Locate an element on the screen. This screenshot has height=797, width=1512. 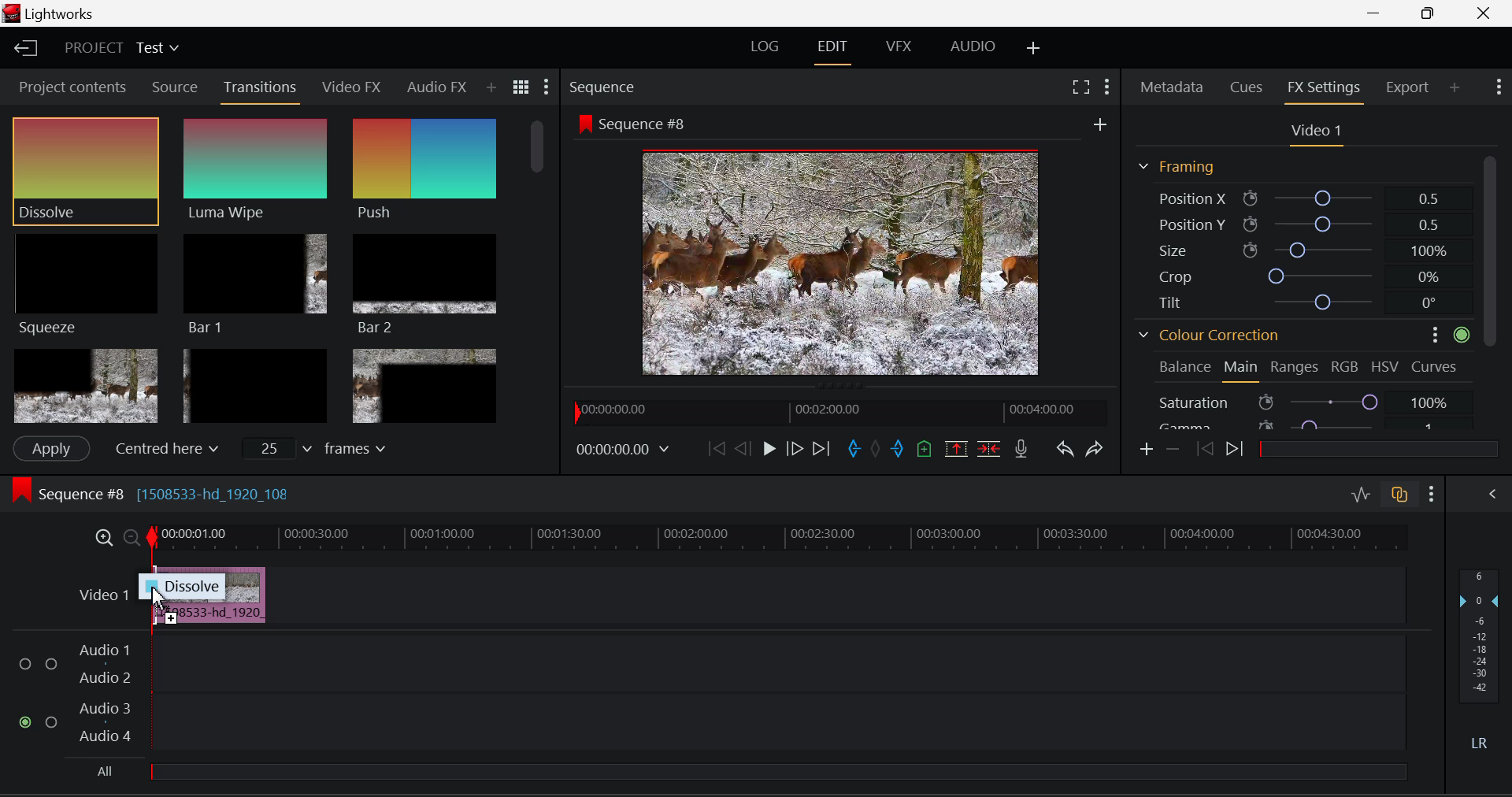
Ranges is located at coordinates (1295, 369).